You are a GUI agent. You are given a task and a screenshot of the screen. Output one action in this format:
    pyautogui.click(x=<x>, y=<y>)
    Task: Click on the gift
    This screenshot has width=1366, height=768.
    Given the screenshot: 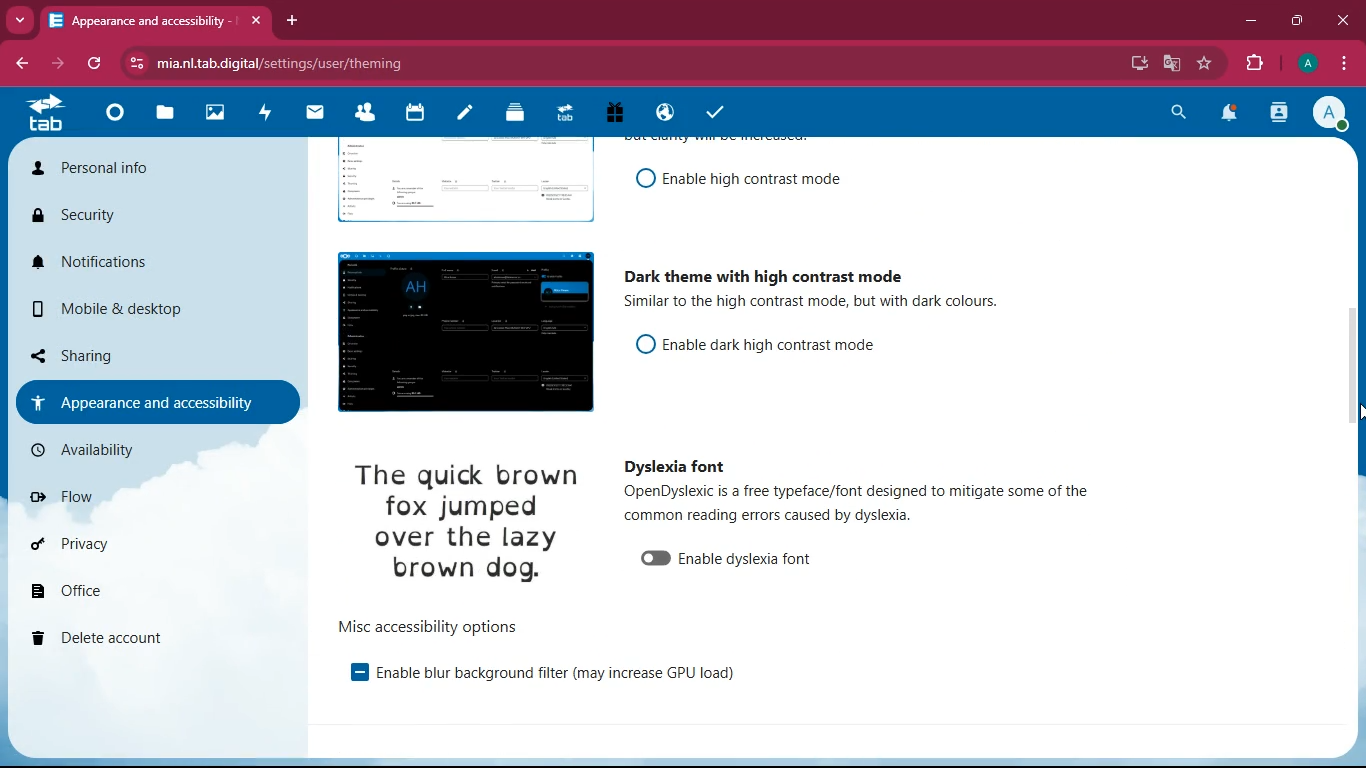 What is the action you would take?
    pyautogui.click(x=623, y=113)
    